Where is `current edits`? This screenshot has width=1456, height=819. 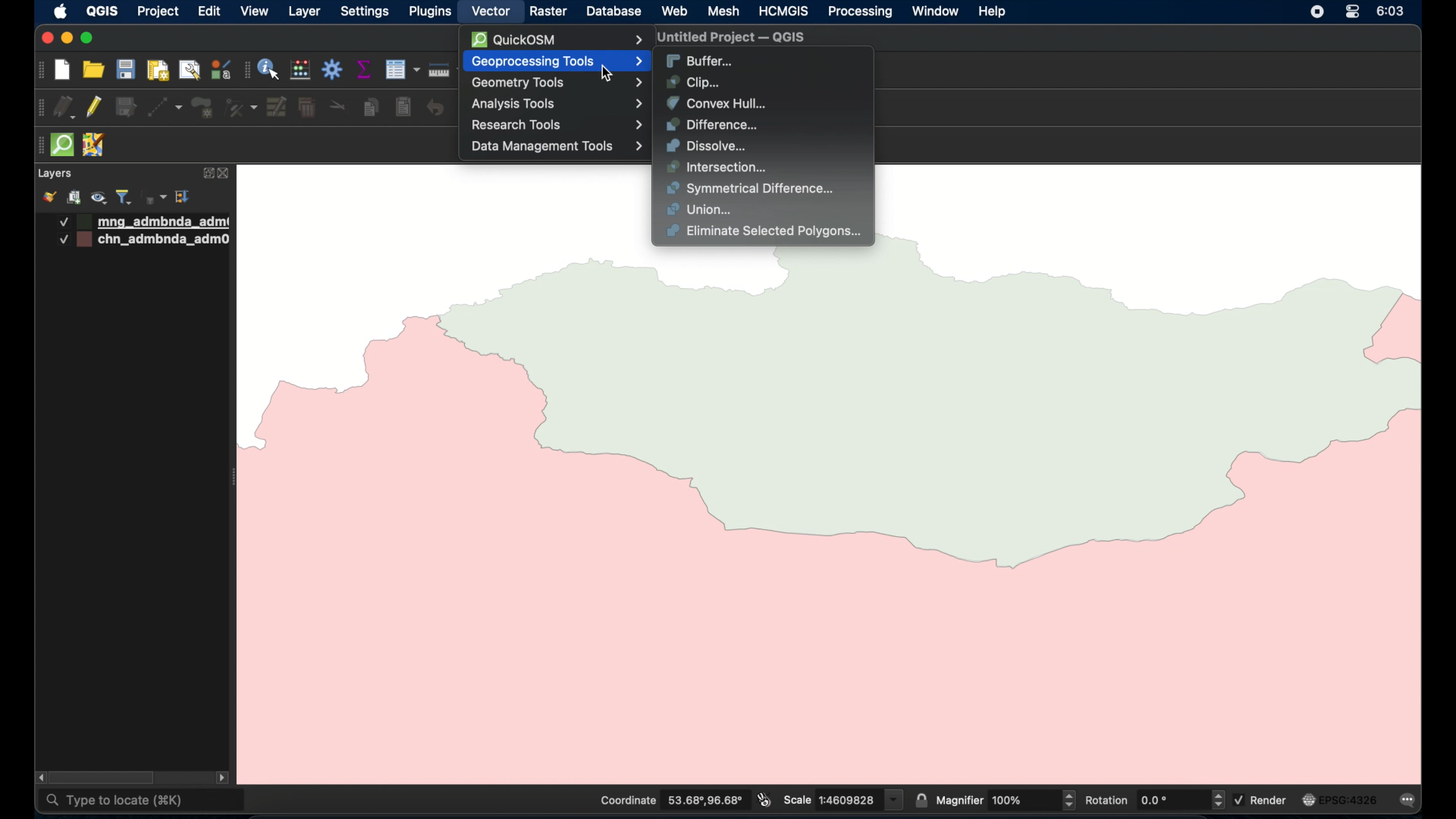 current edits is located at coordinates (65, 108).